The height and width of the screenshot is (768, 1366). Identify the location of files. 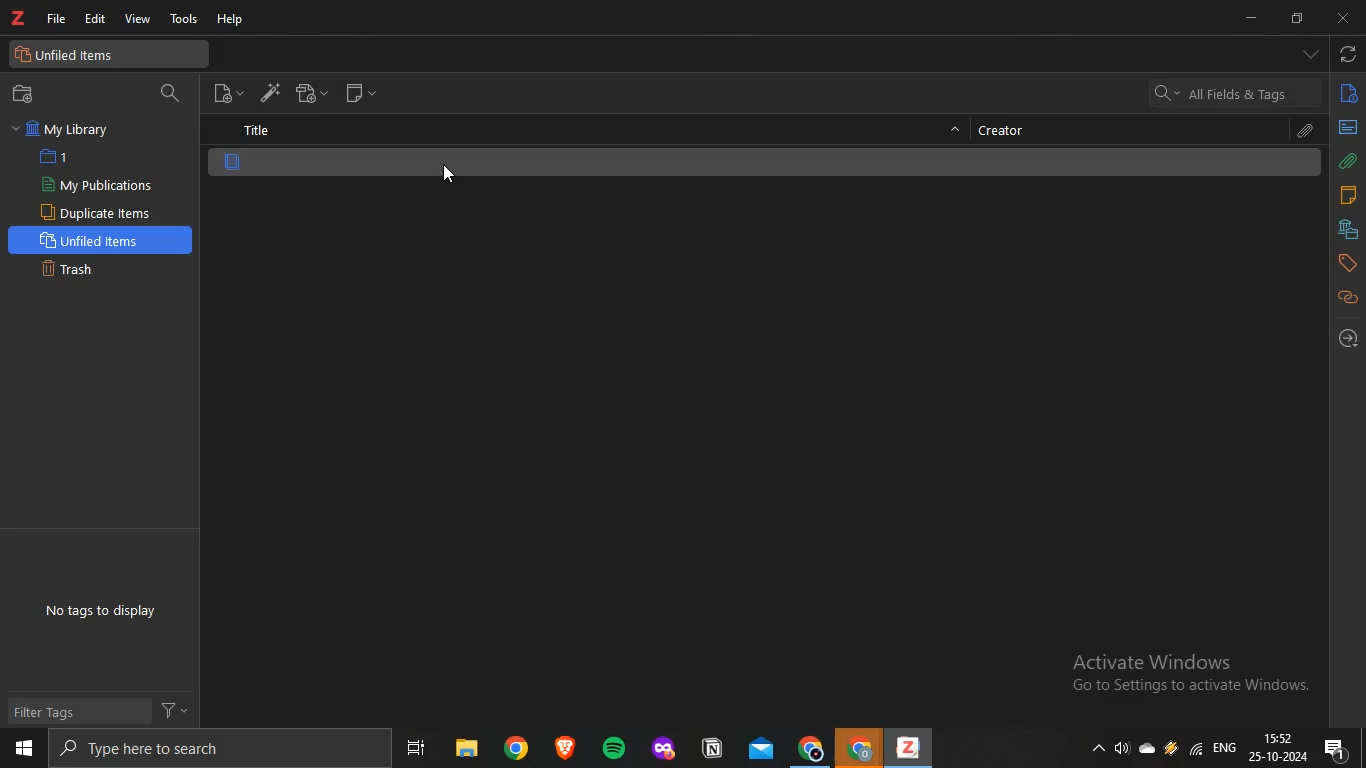
(465, 748).